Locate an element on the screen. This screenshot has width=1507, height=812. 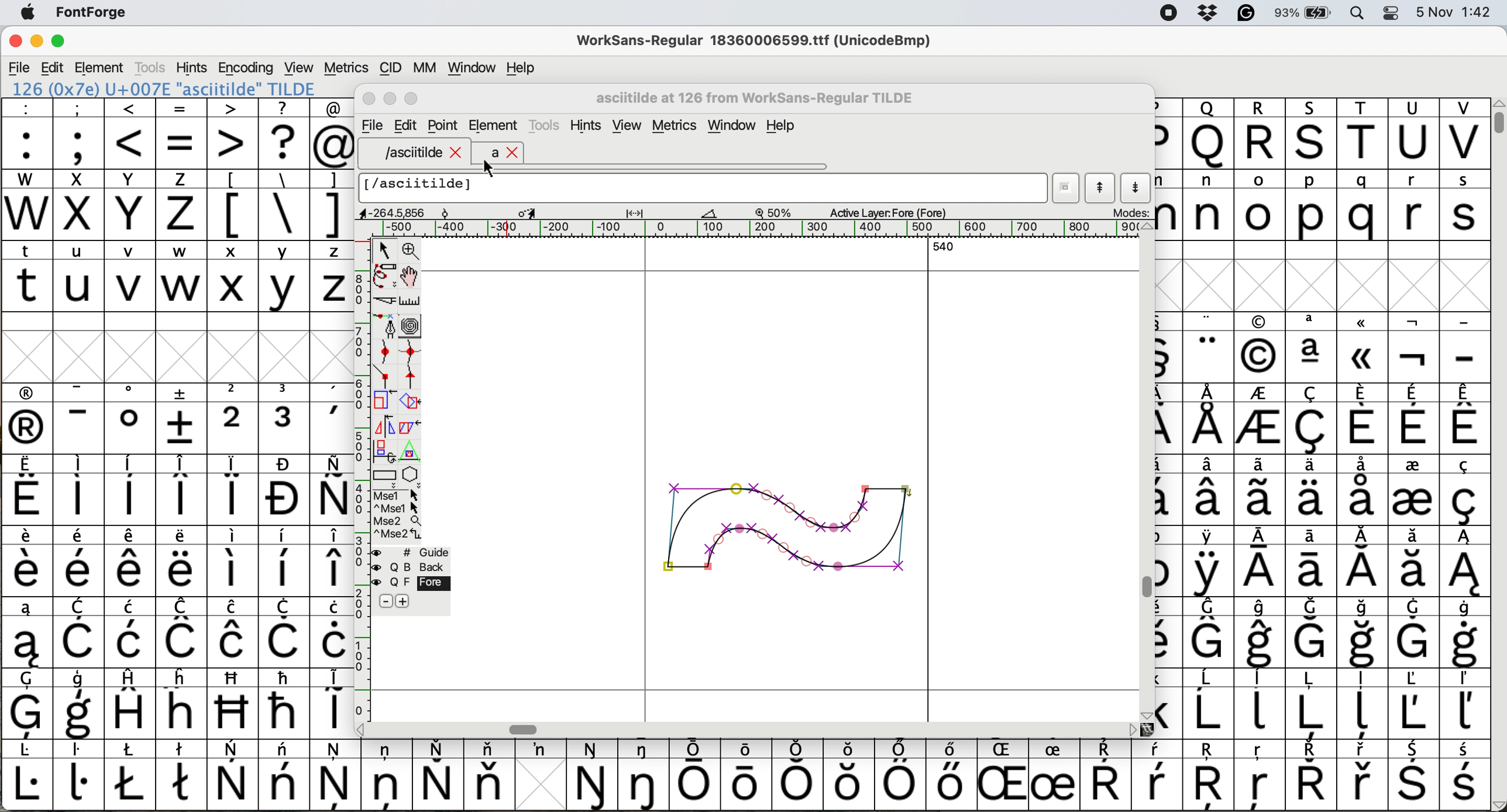
cursor is located at coordinates (488, 169).